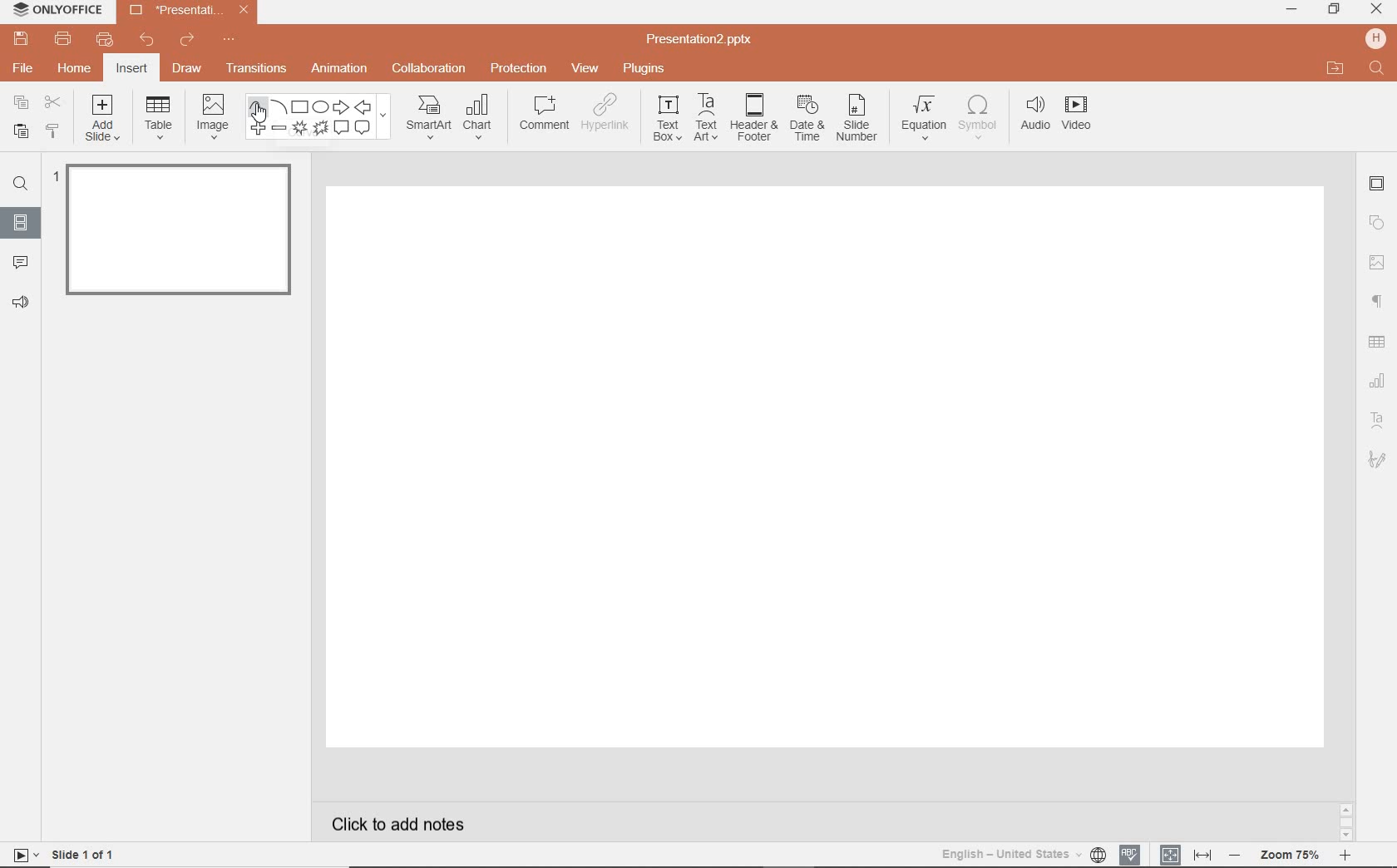  What do you see at coordinates (701, 42) in the screenshot?
I see `Presentation2.pptx` at bounding box center [701, 42].